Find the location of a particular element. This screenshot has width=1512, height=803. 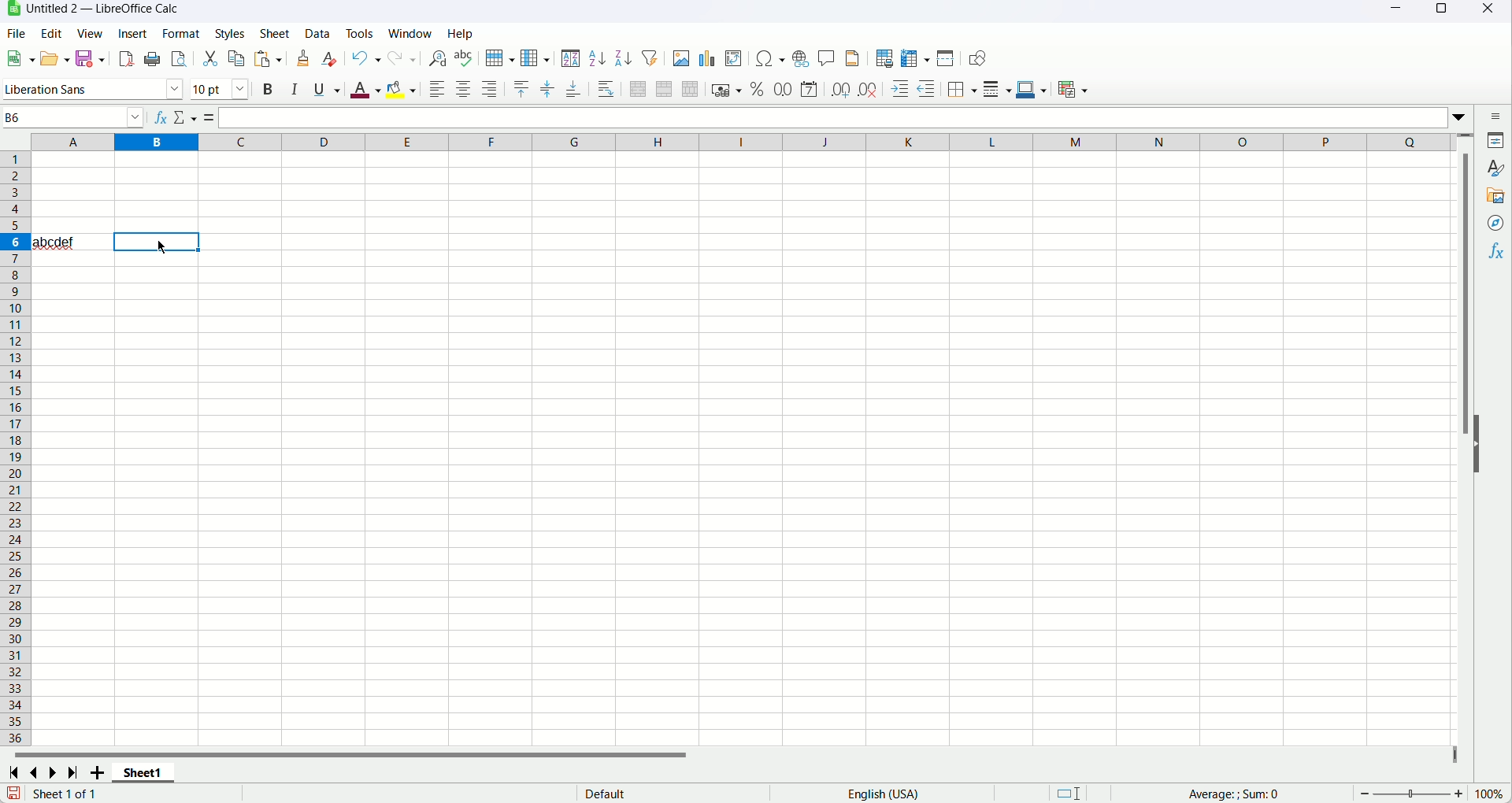

input line is located at coordinates (843, 119).